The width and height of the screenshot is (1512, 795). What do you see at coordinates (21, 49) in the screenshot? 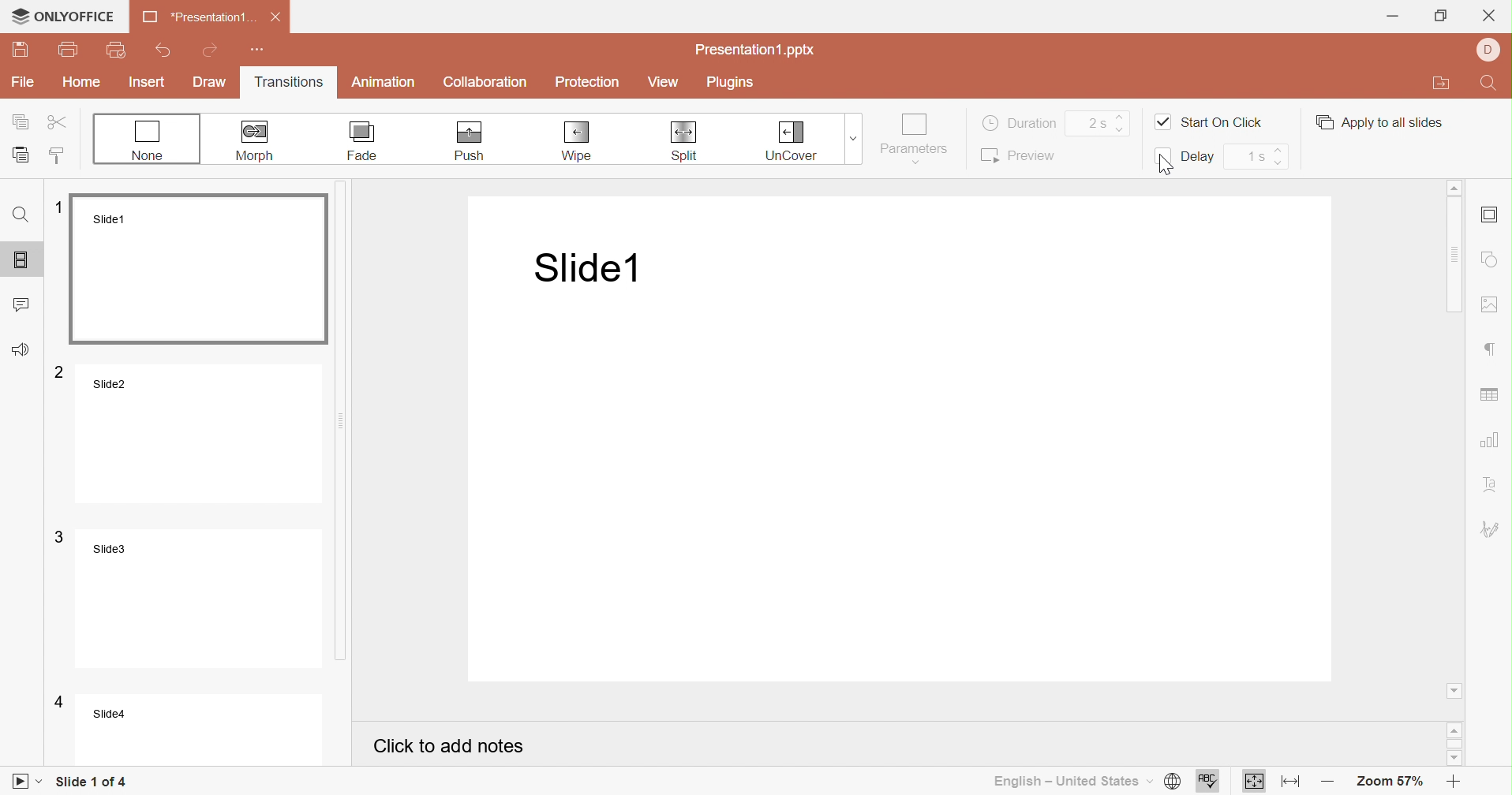
I see `Save` at bounding box center [21, 49].